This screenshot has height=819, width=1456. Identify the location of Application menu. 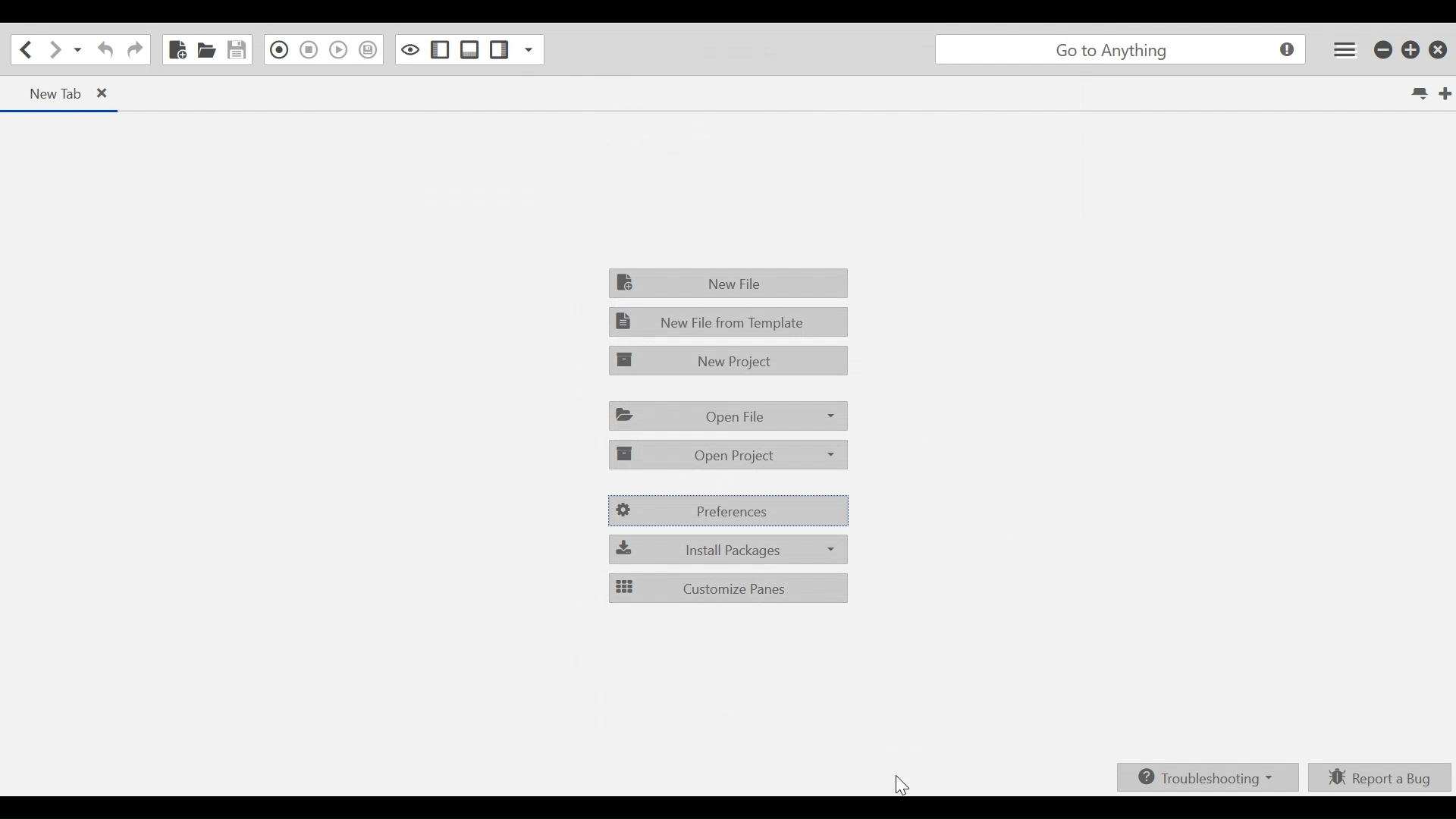
(1345, 49).